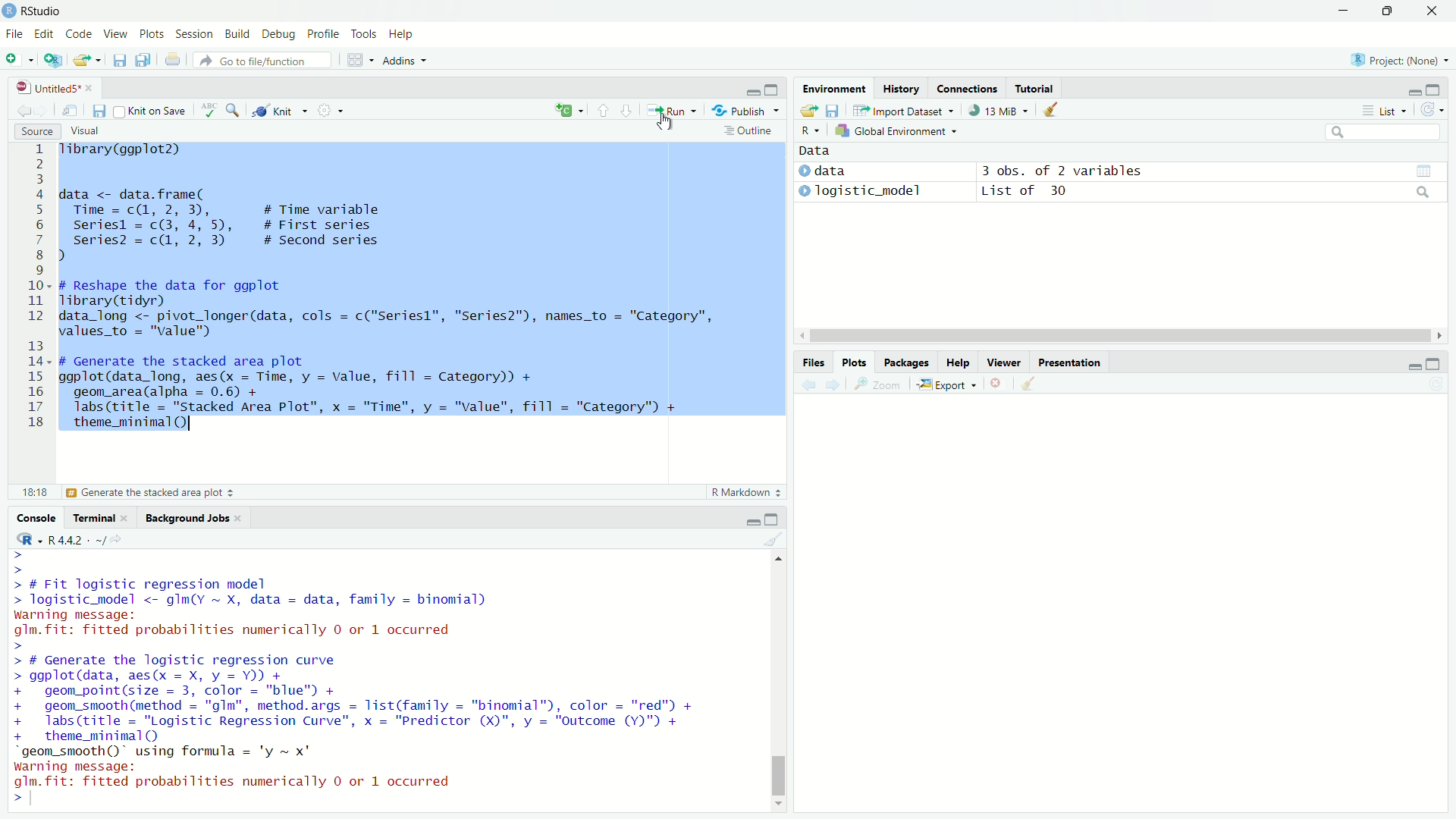  Describe the element at coordinates (1430, 111) in the screenshot. I see `refresh` at that location.